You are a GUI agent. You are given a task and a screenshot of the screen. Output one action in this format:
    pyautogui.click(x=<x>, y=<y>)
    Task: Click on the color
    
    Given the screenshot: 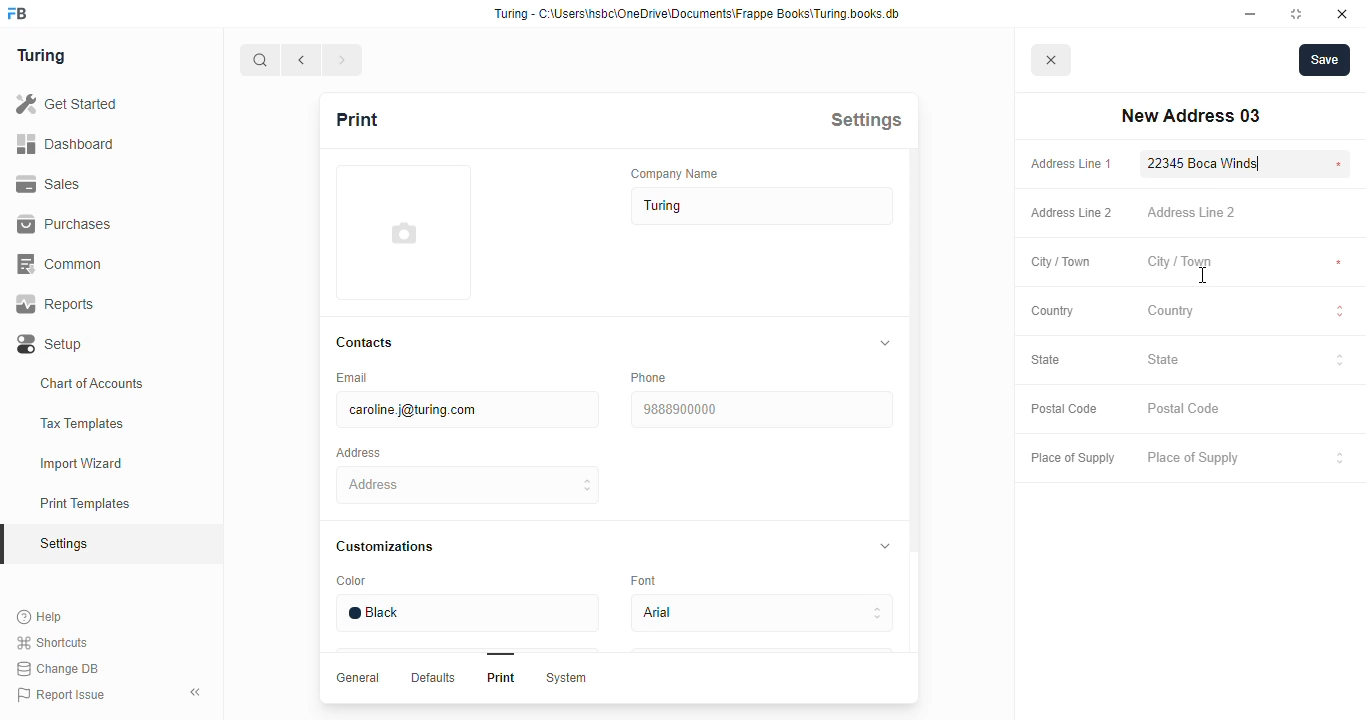 What is the action you would take?
    pyautogui.click(x=351, y=581)
    